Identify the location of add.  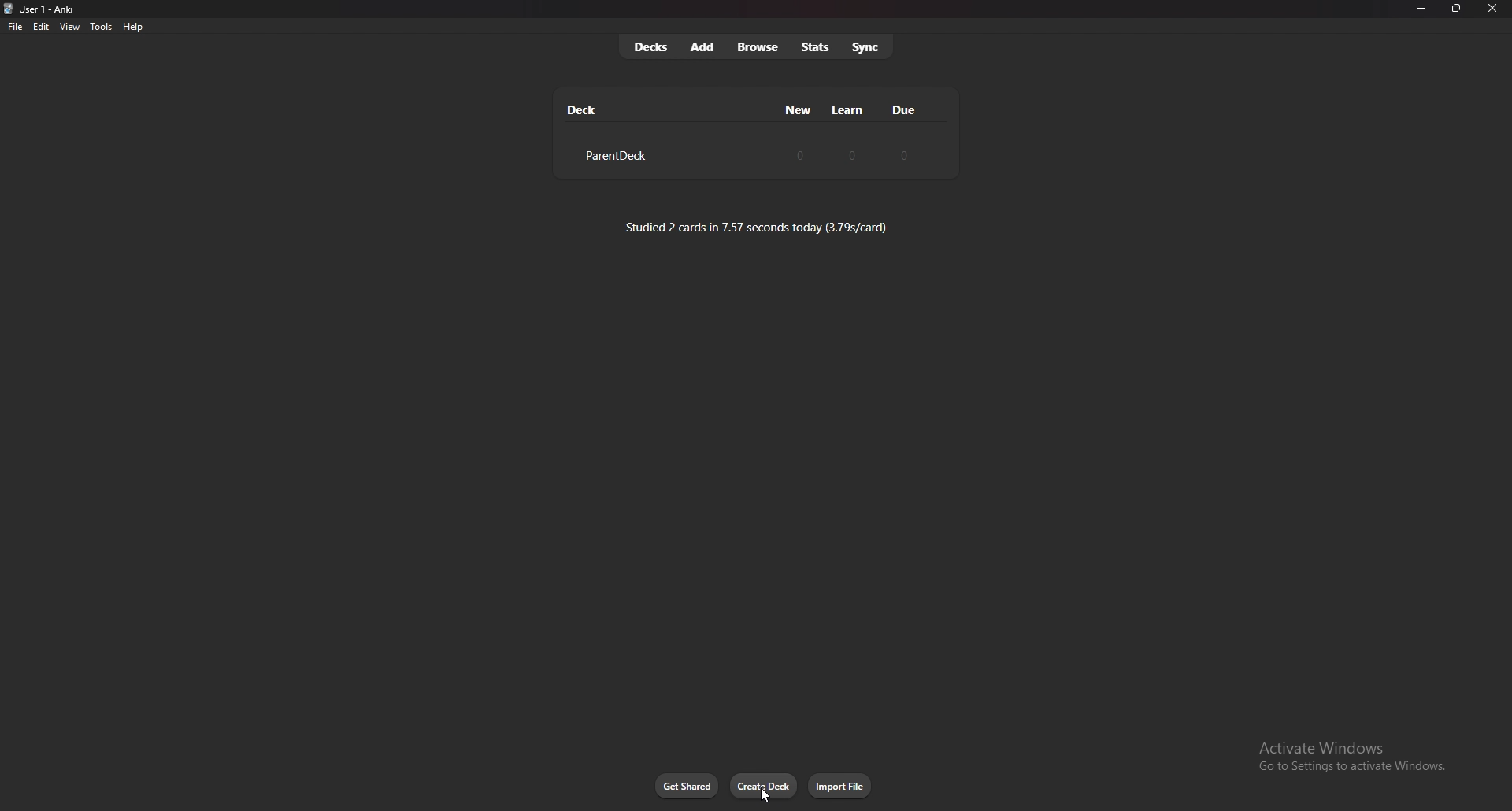
(703, 46).